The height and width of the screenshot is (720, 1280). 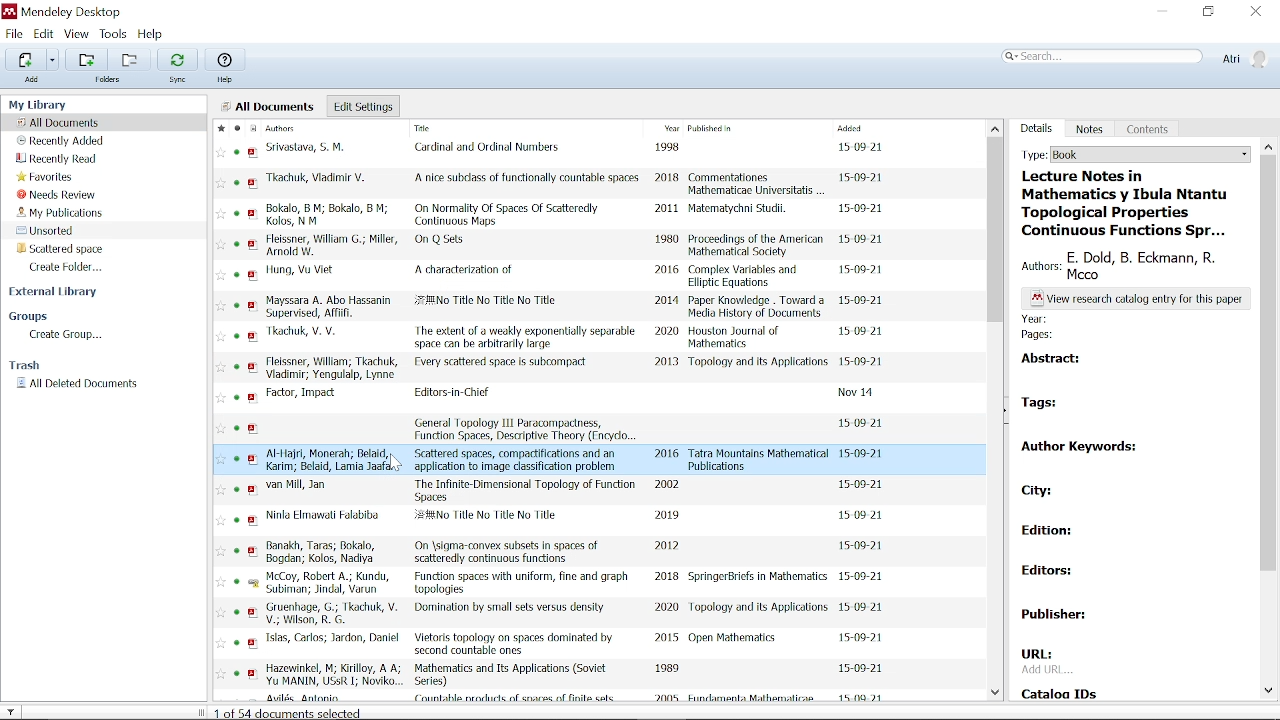 I want to click on Add files, so click(x=25, y=59).